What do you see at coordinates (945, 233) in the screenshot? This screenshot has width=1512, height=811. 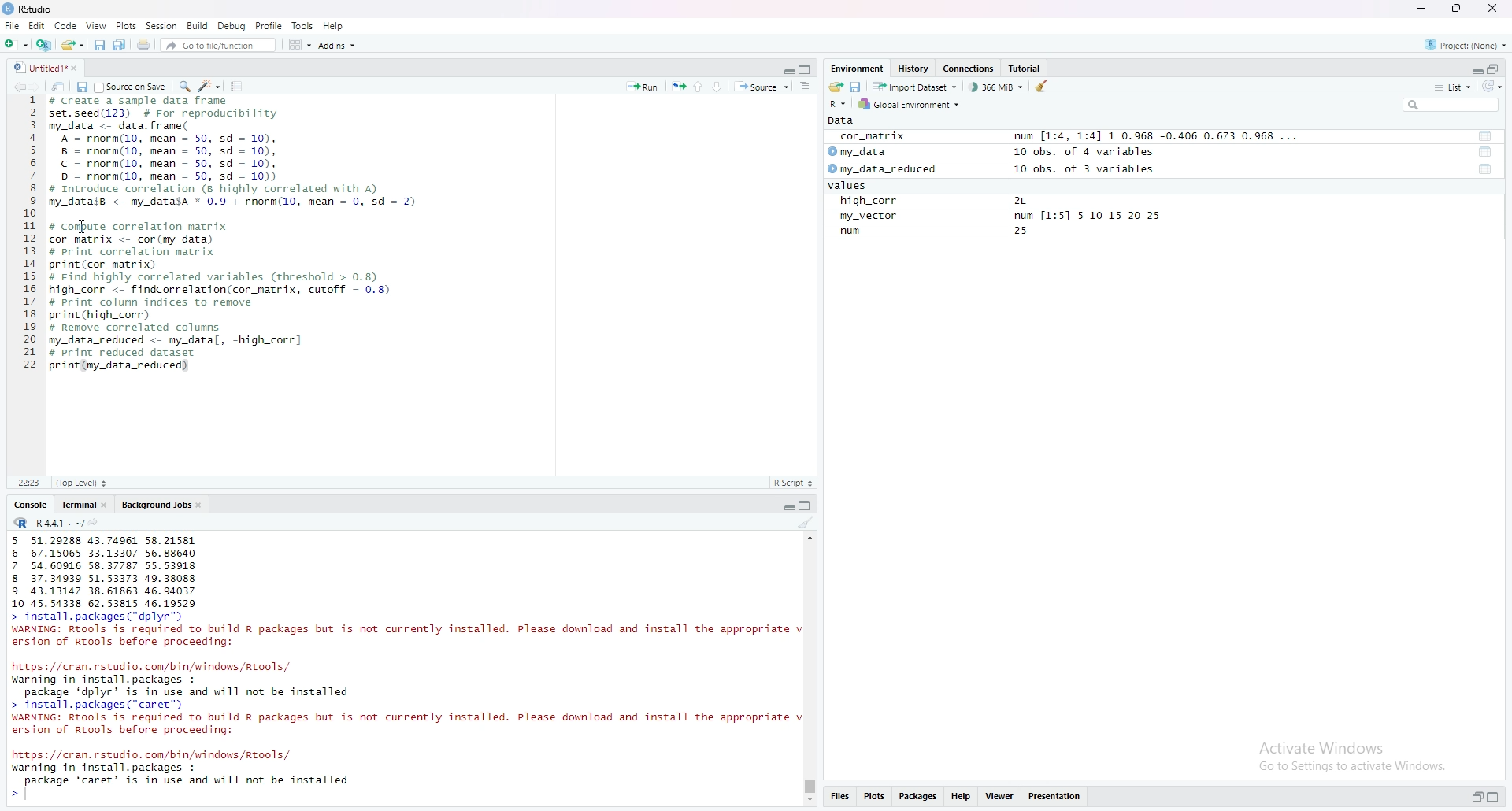 I see `num 25` at bounding box center [945, 233].